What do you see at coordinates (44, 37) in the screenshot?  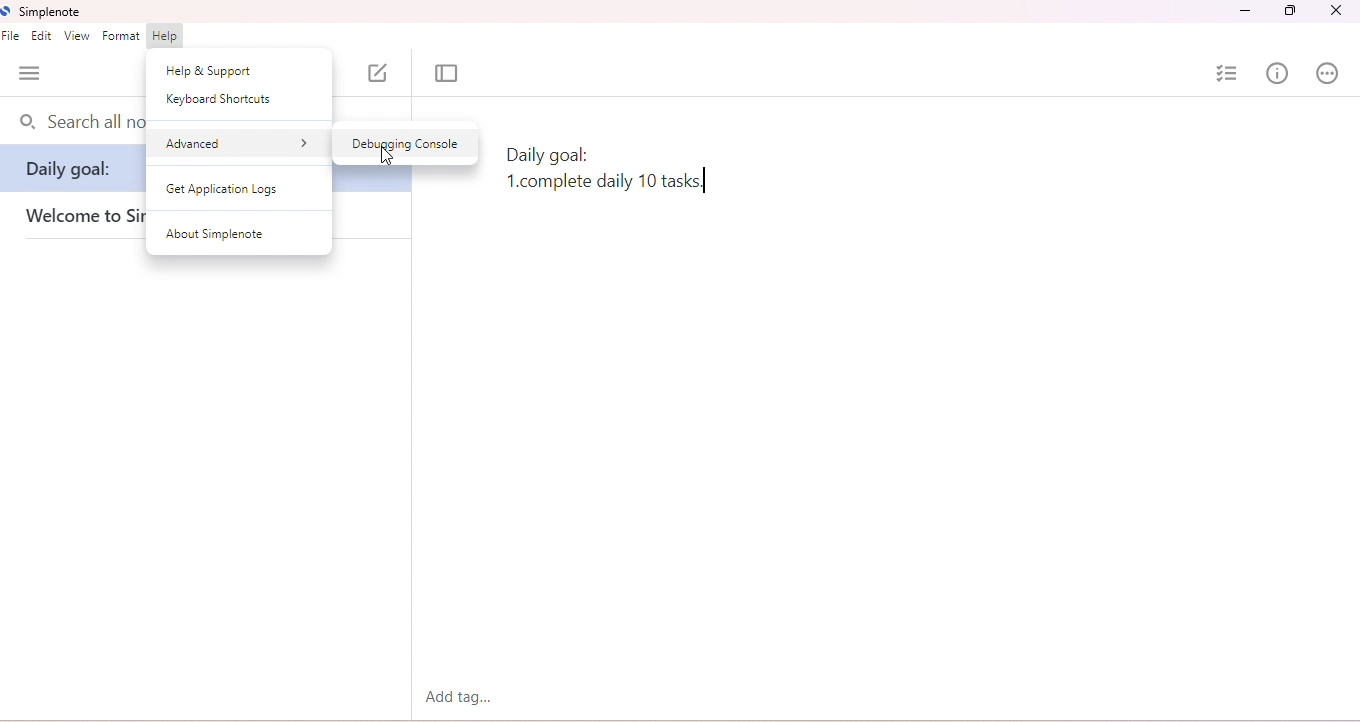 I see `edit` at bounding box center [44, 37].